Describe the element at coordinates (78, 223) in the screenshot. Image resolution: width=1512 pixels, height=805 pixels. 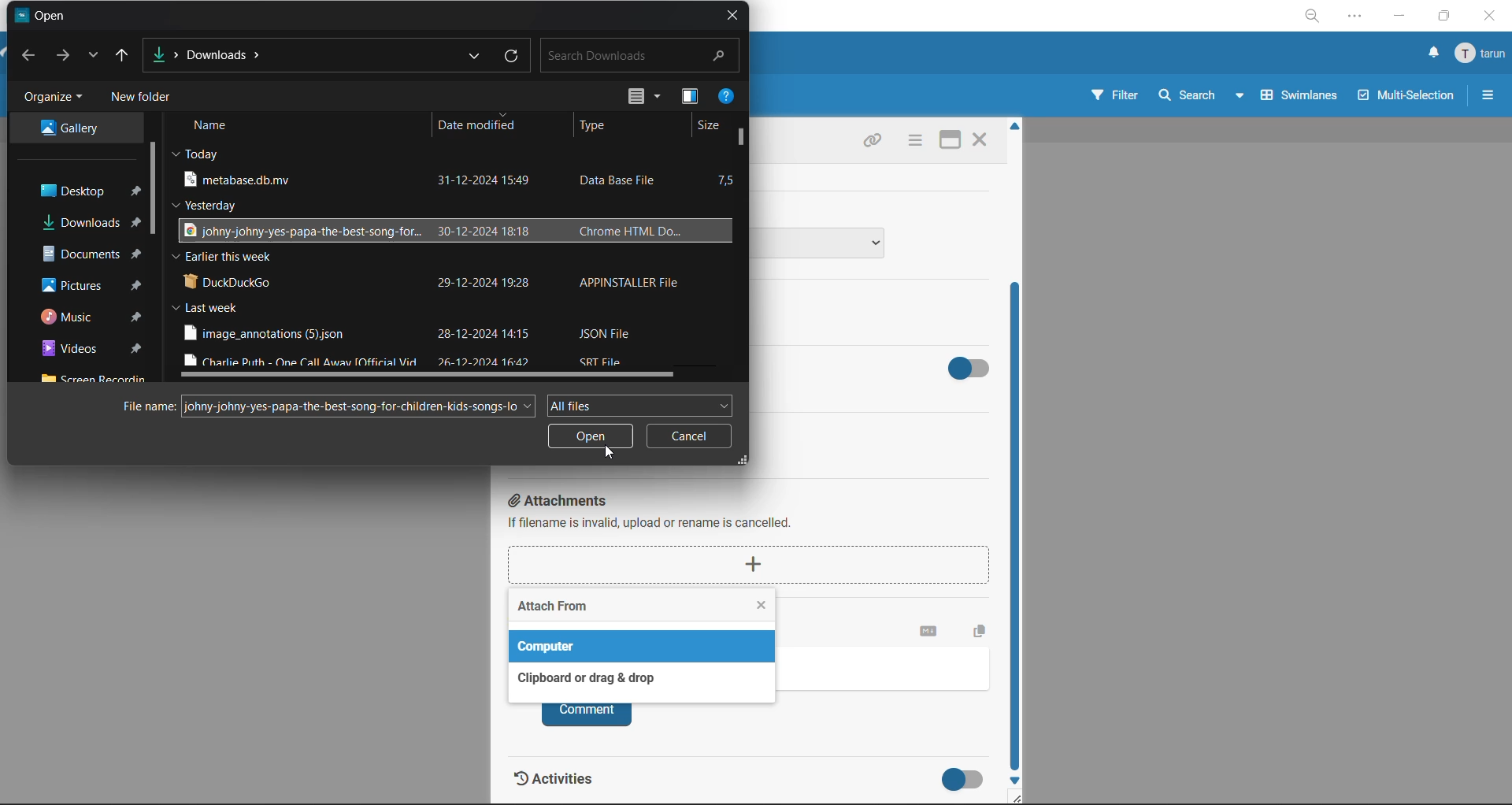
I see `downloads` at that location.